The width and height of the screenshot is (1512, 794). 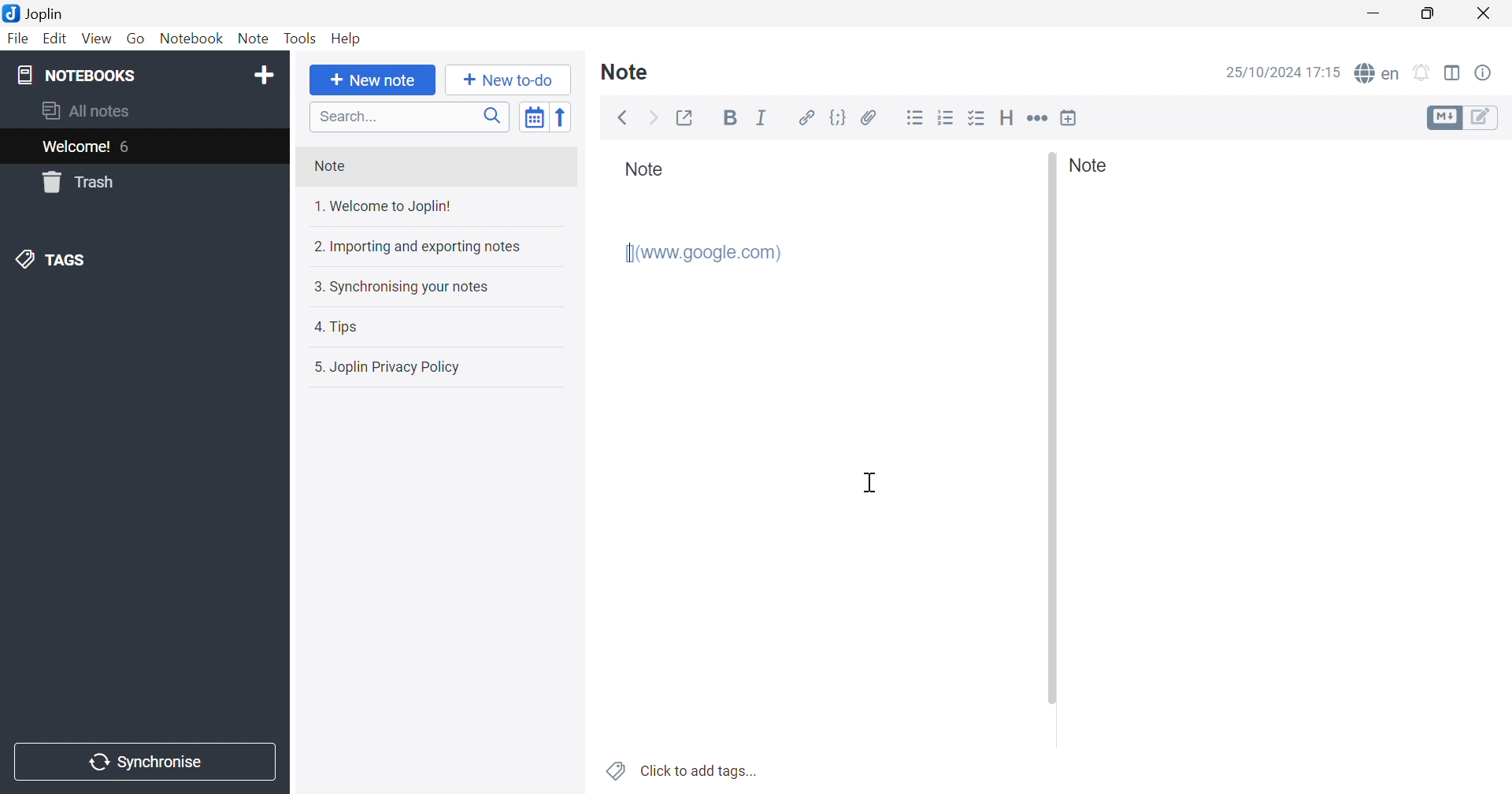 I want to click on Back, so click(x=624, y=118).